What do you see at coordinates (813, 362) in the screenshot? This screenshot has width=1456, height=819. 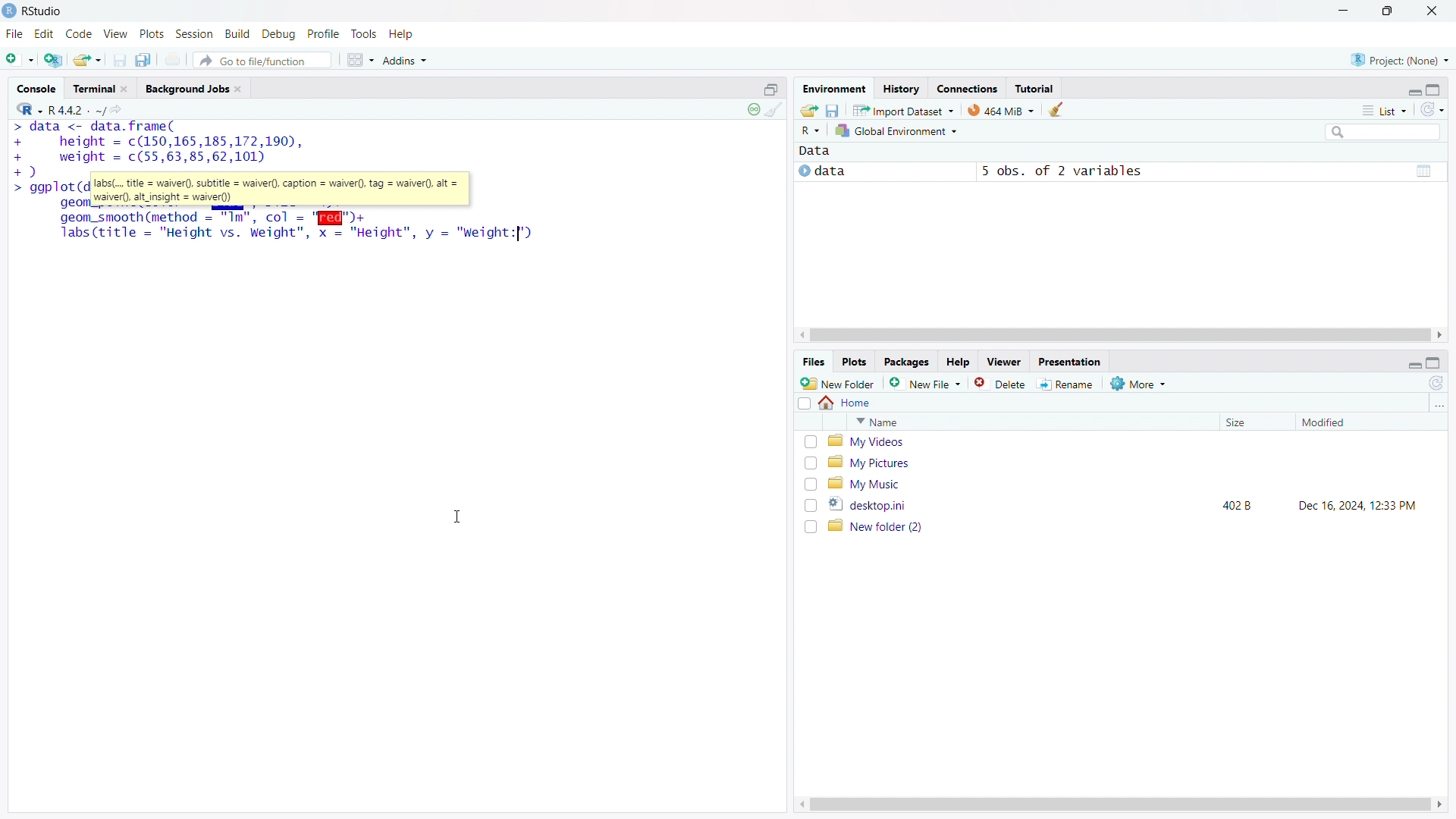 I see `files` at bounding box center [813, 362].